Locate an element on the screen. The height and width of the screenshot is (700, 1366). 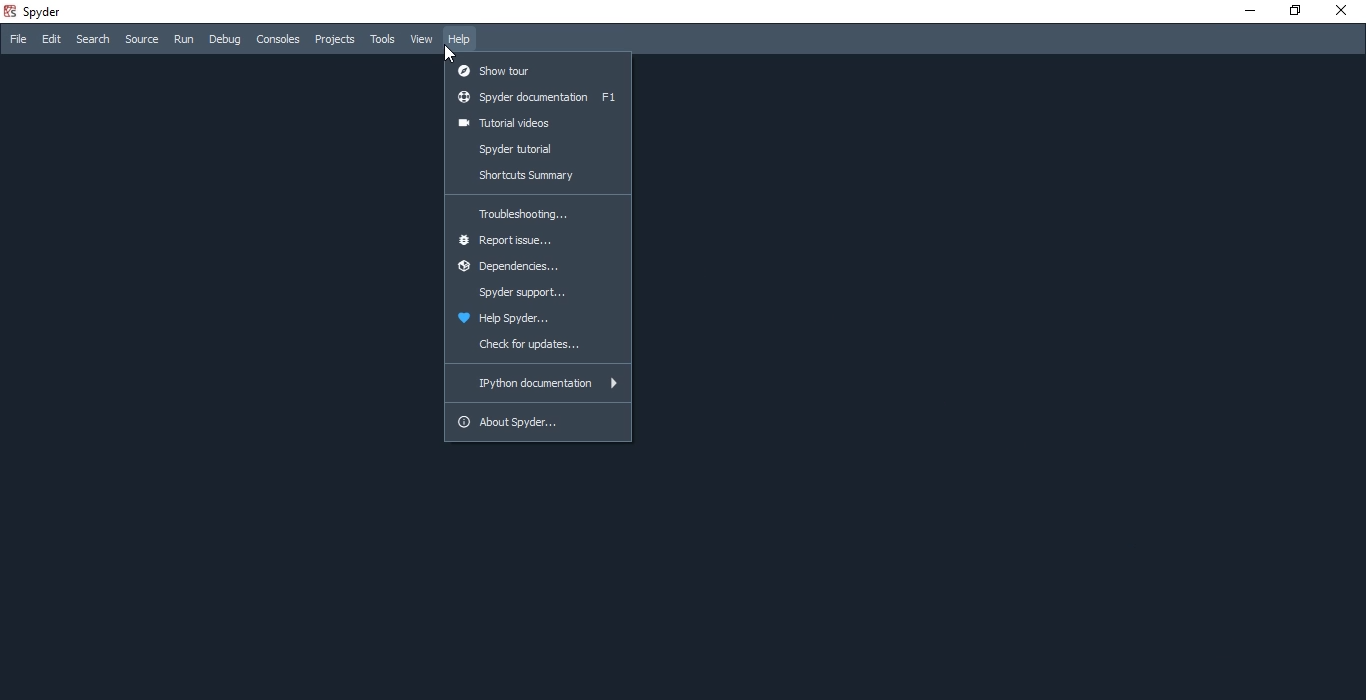
Debug is located at coordinates (223, 39).